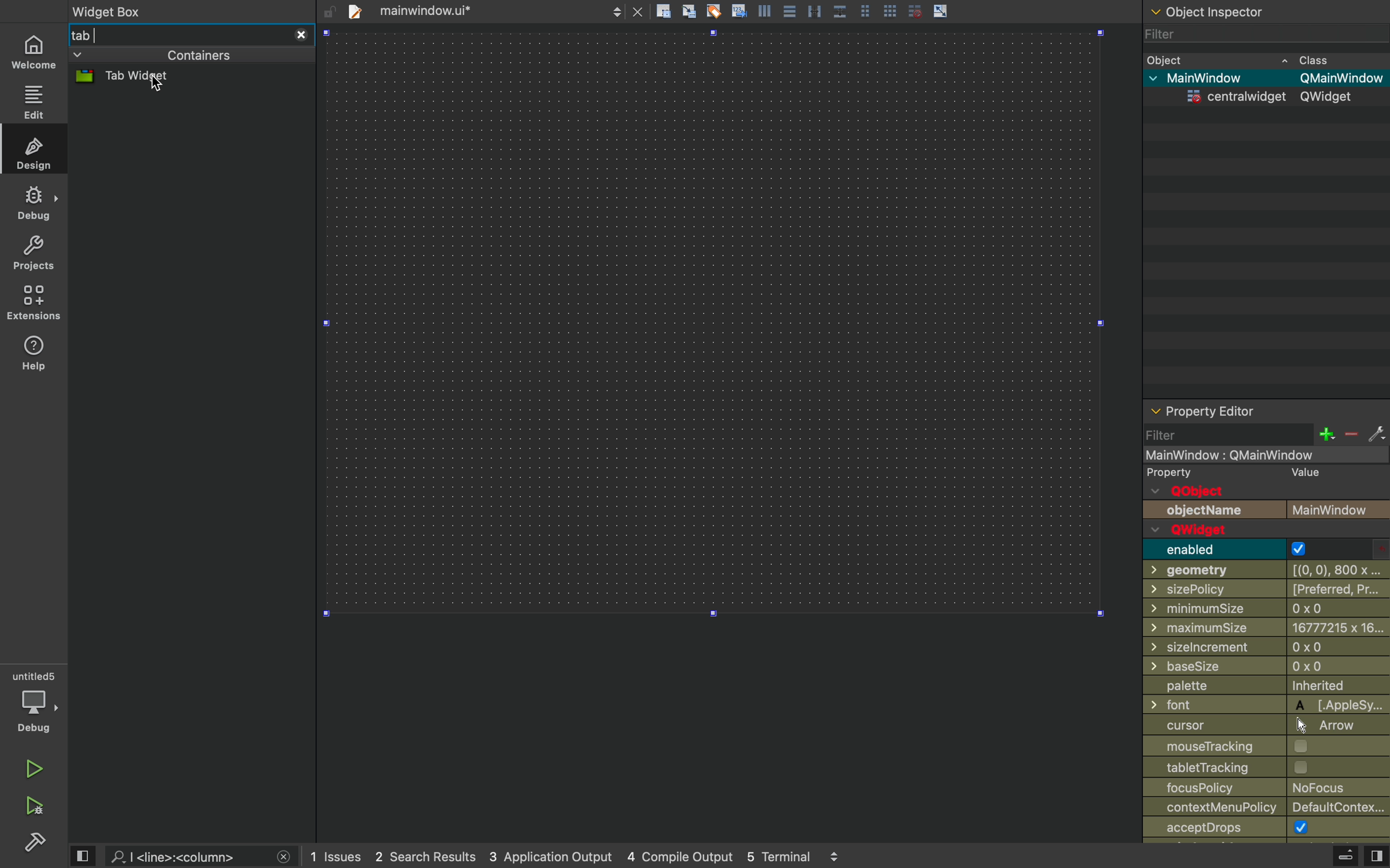 This screenshot has width=1390, height=868. I want to click on view, so click(82, 857).